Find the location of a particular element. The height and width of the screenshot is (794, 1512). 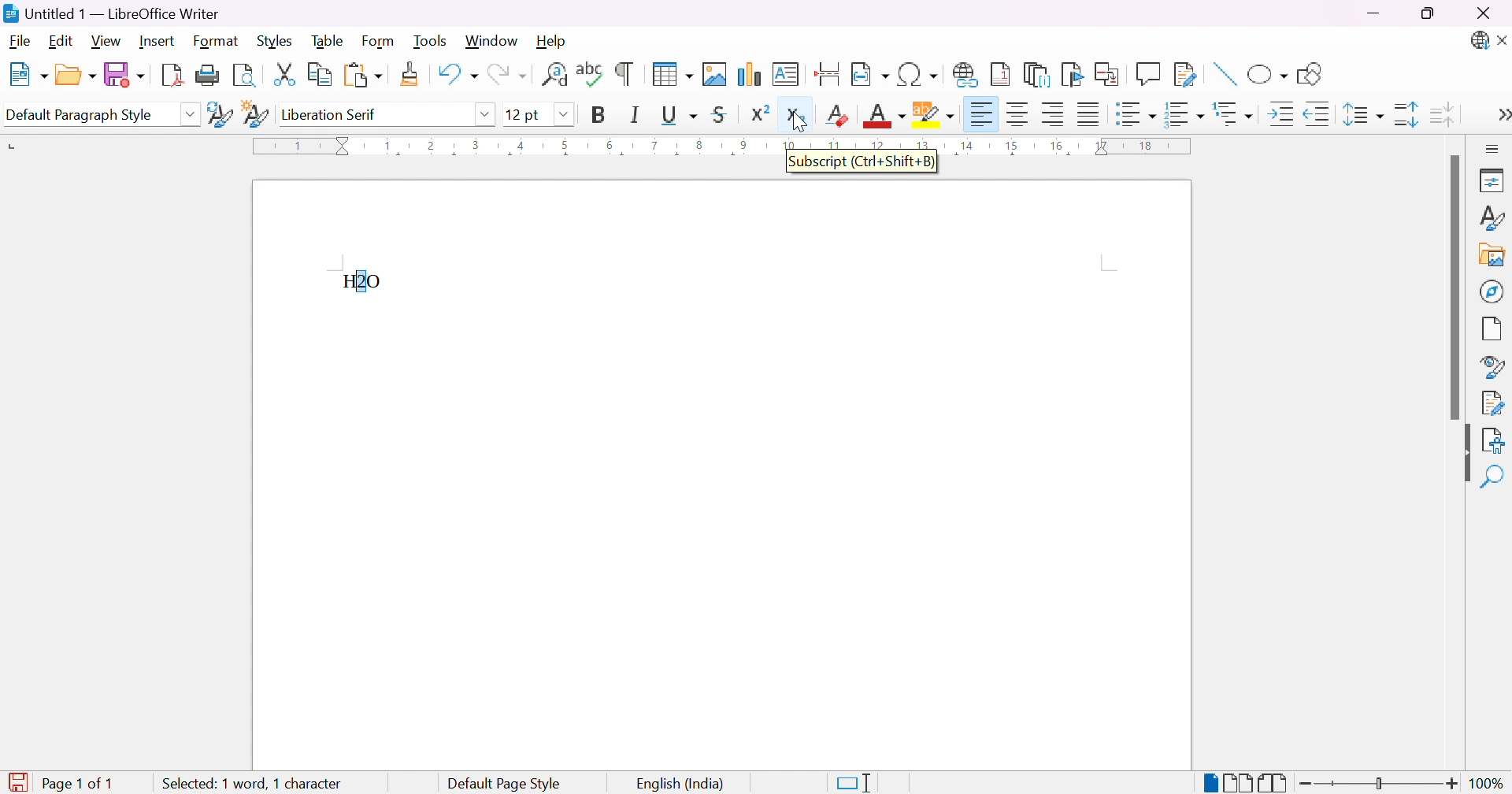

Navigator is located at coordinates (1492, 291).